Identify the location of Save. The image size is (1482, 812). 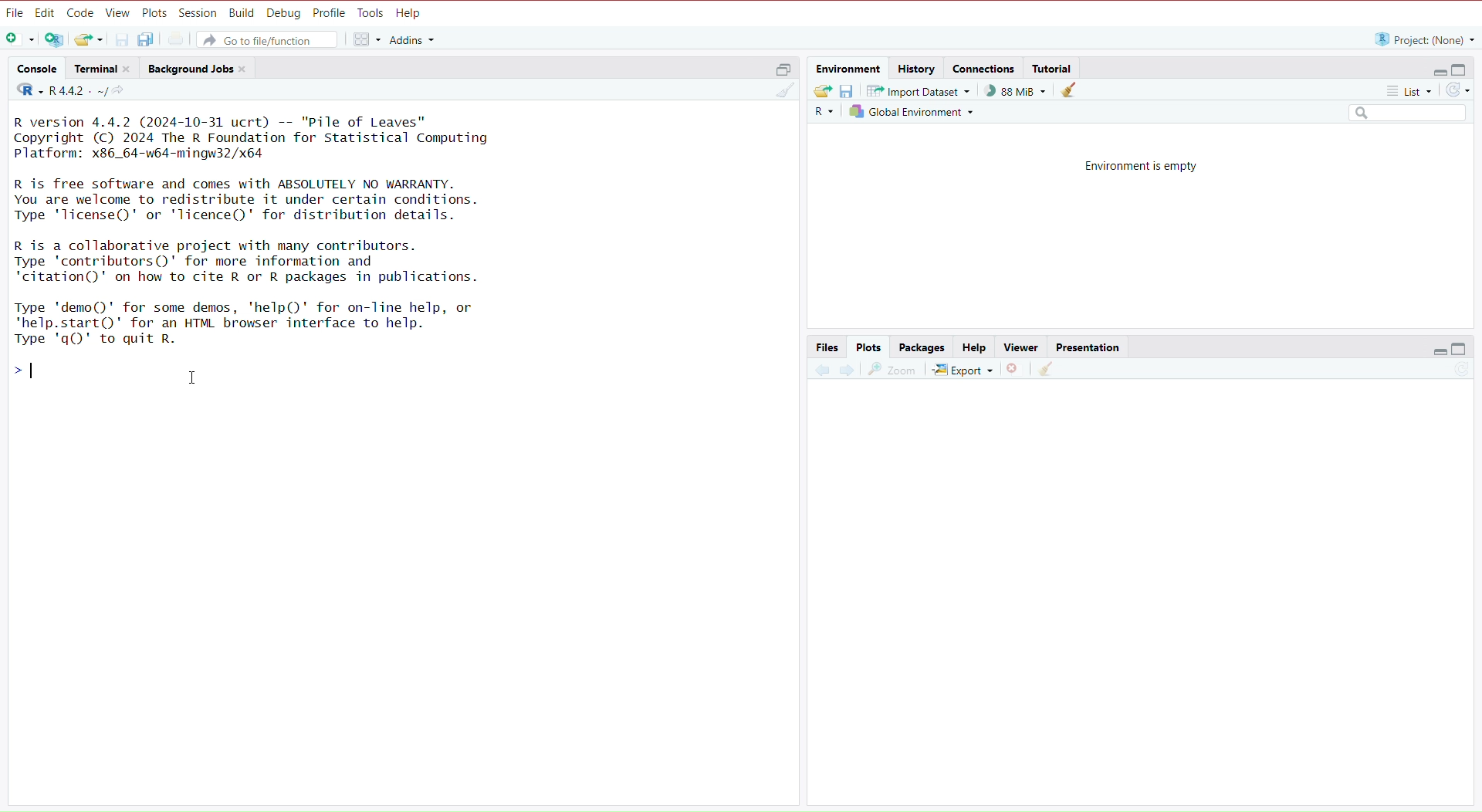
(848, 91).